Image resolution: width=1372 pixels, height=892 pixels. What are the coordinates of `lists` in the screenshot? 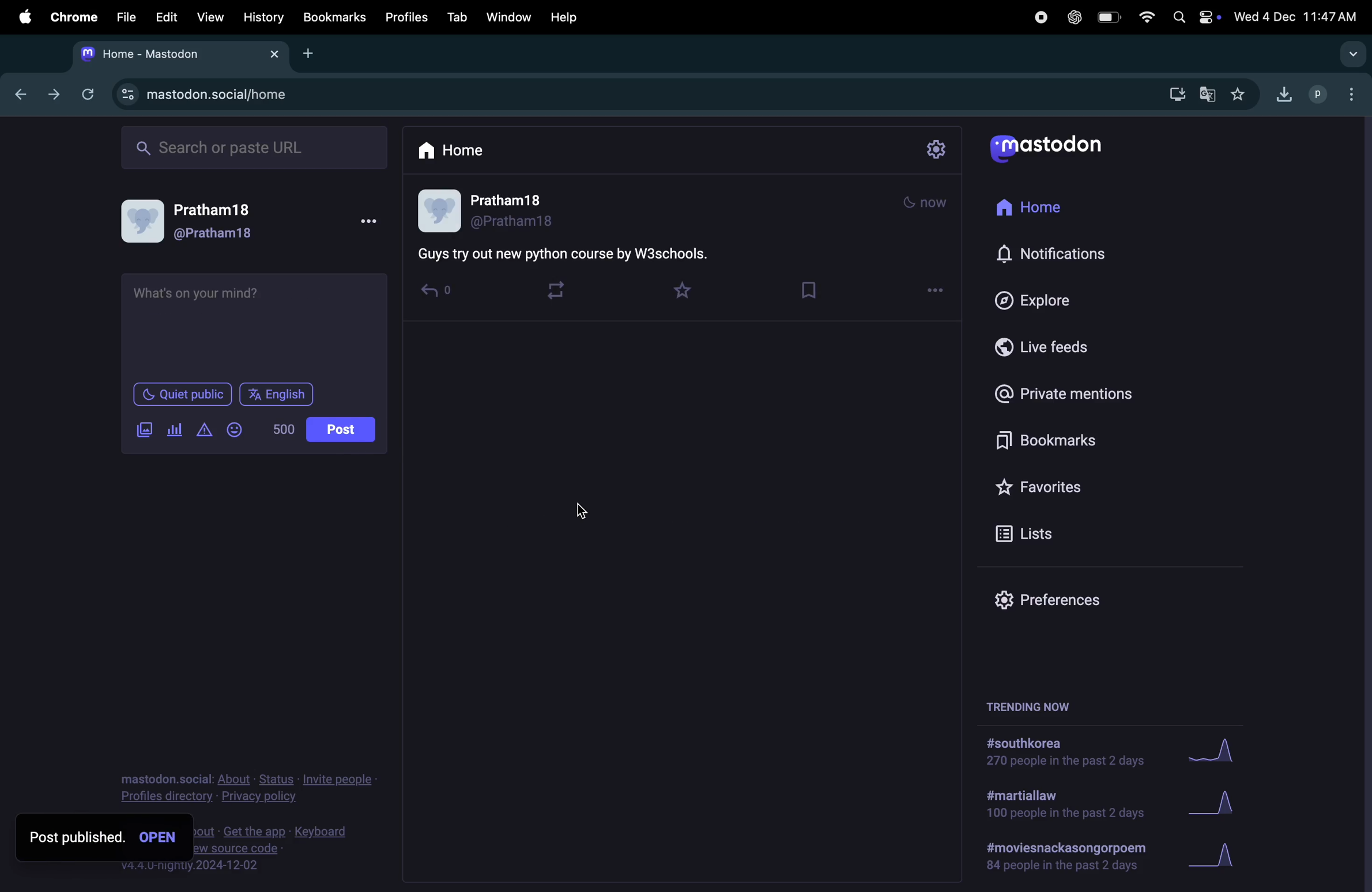 It's located at (1030, 533).